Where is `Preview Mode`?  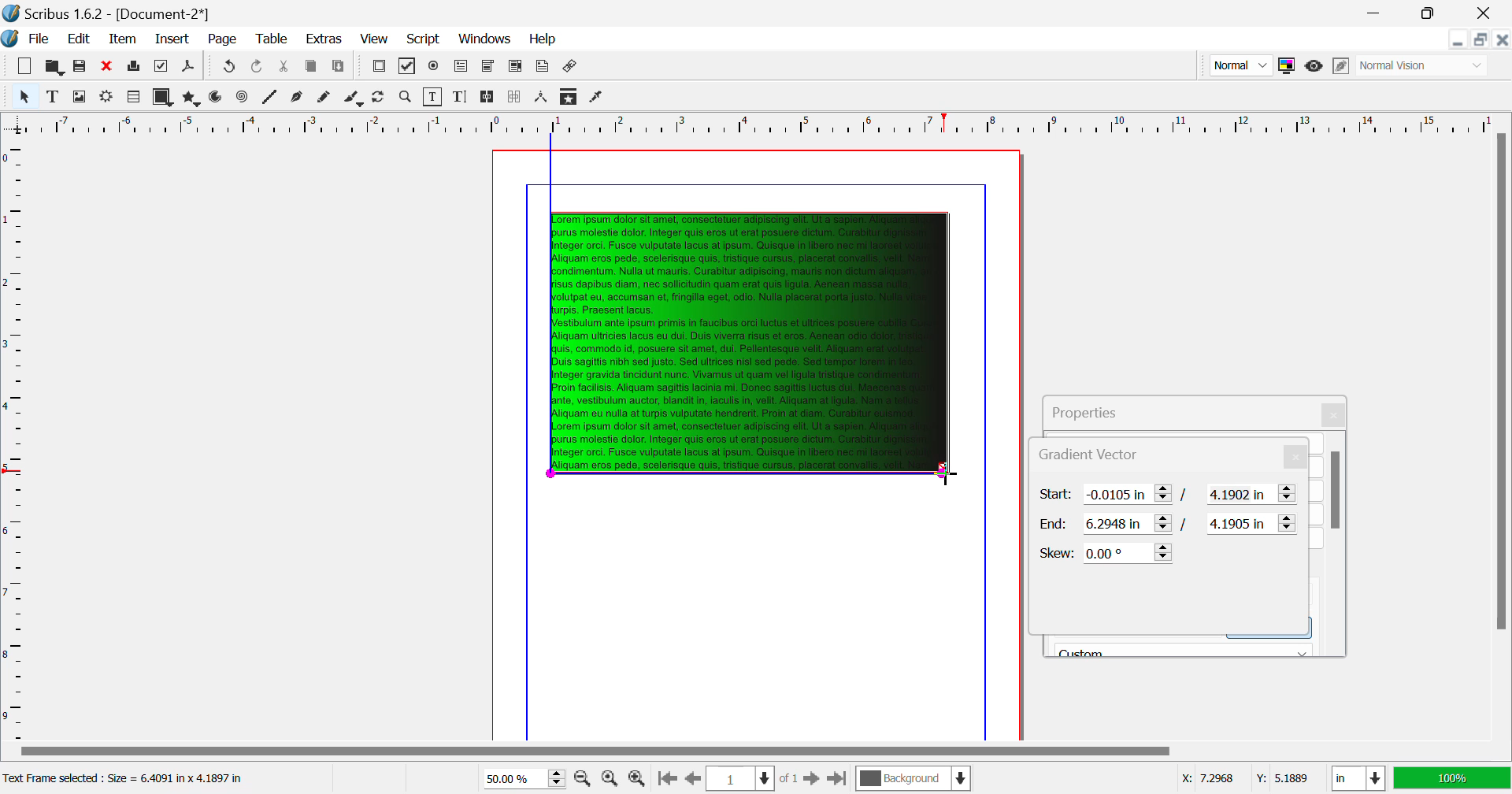 Preview Mode is located at coordinates (1240, 65).